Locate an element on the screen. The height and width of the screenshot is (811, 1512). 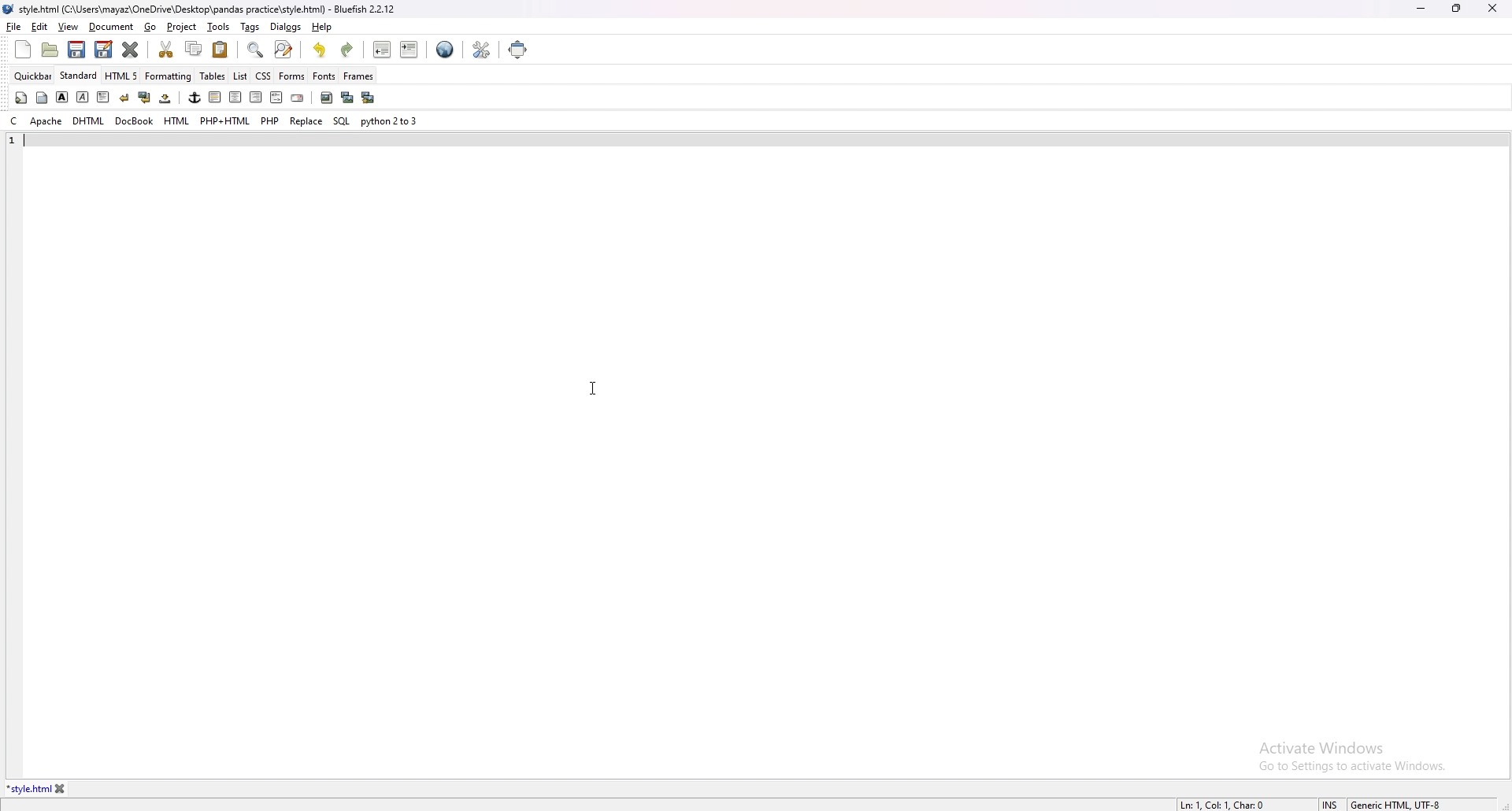
close tab is located at coordinates (61, 789).